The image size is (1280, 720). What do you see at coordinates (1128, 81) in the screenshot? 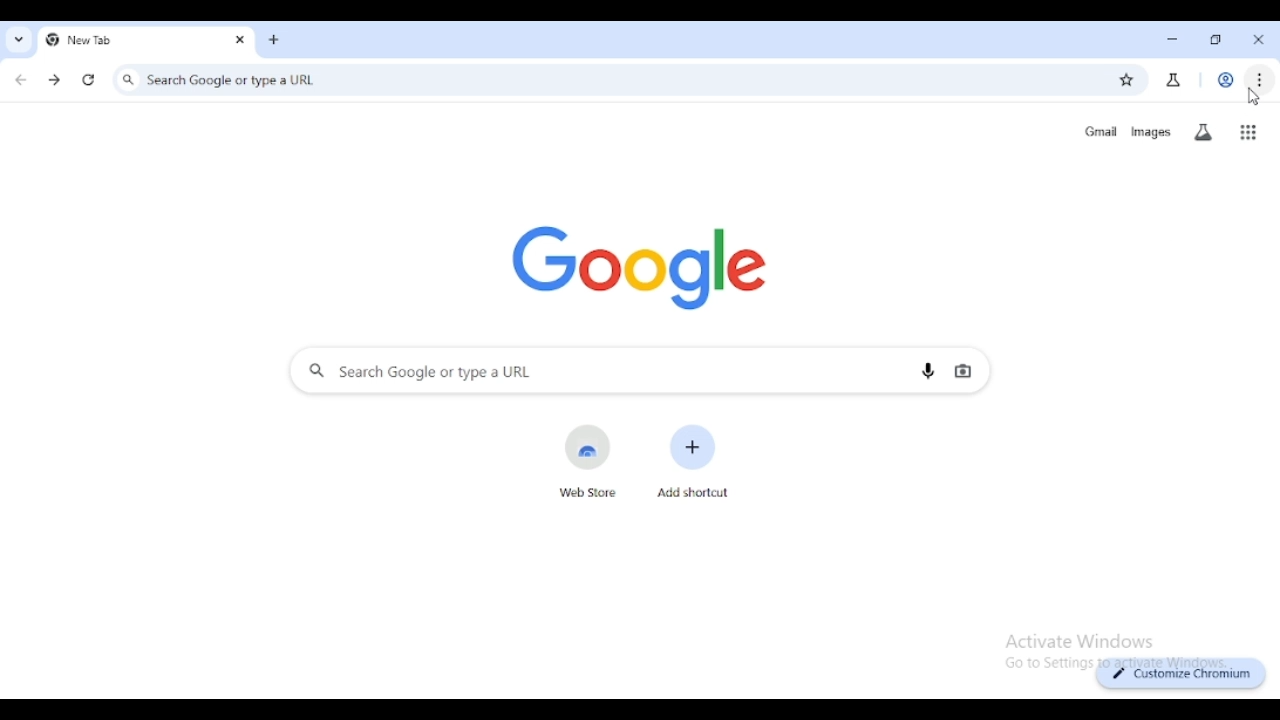
I see `bookmark this page` at bounding box center [1128, 81].